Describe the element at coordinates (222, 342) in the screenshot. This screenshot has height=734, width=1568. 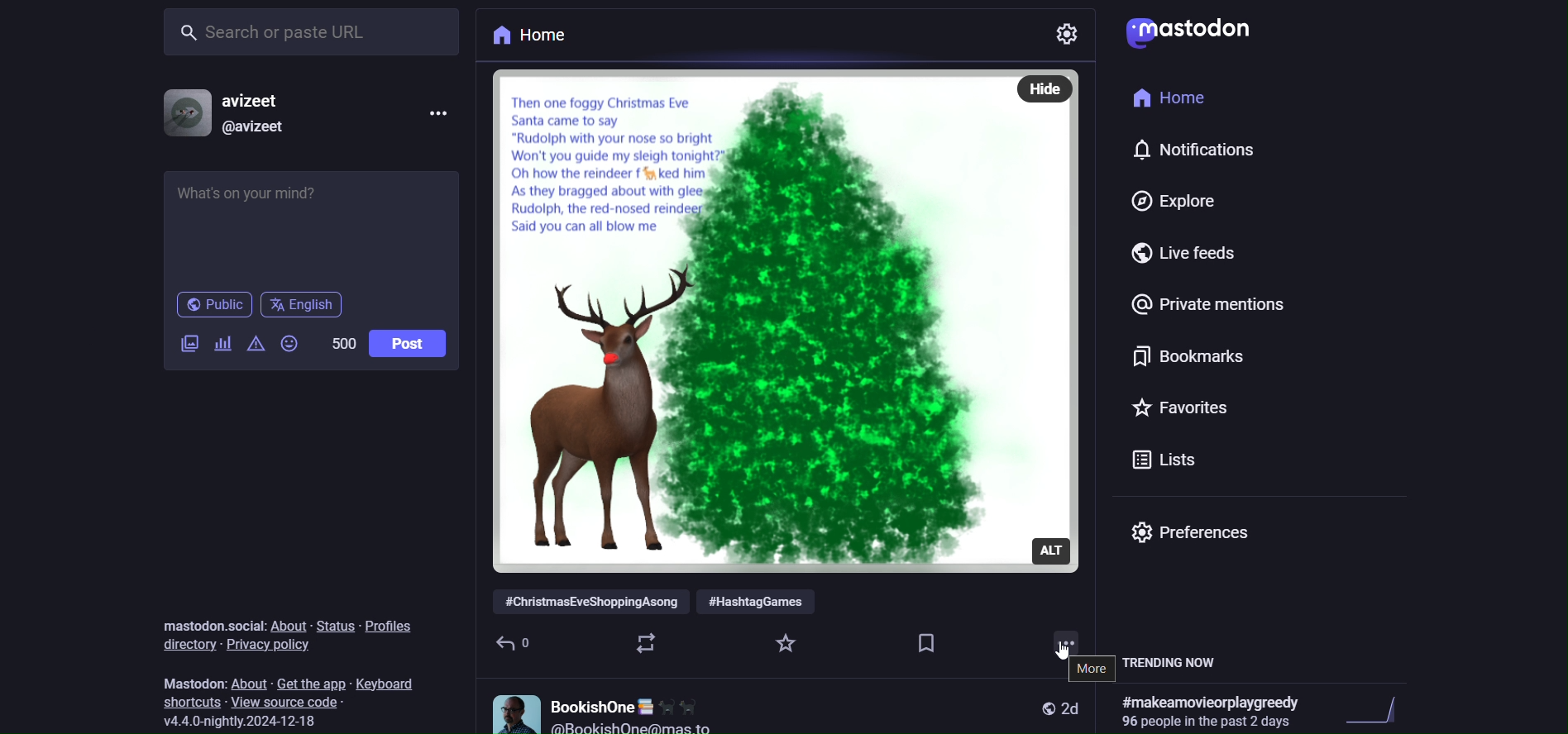
I see `poll` at that location.